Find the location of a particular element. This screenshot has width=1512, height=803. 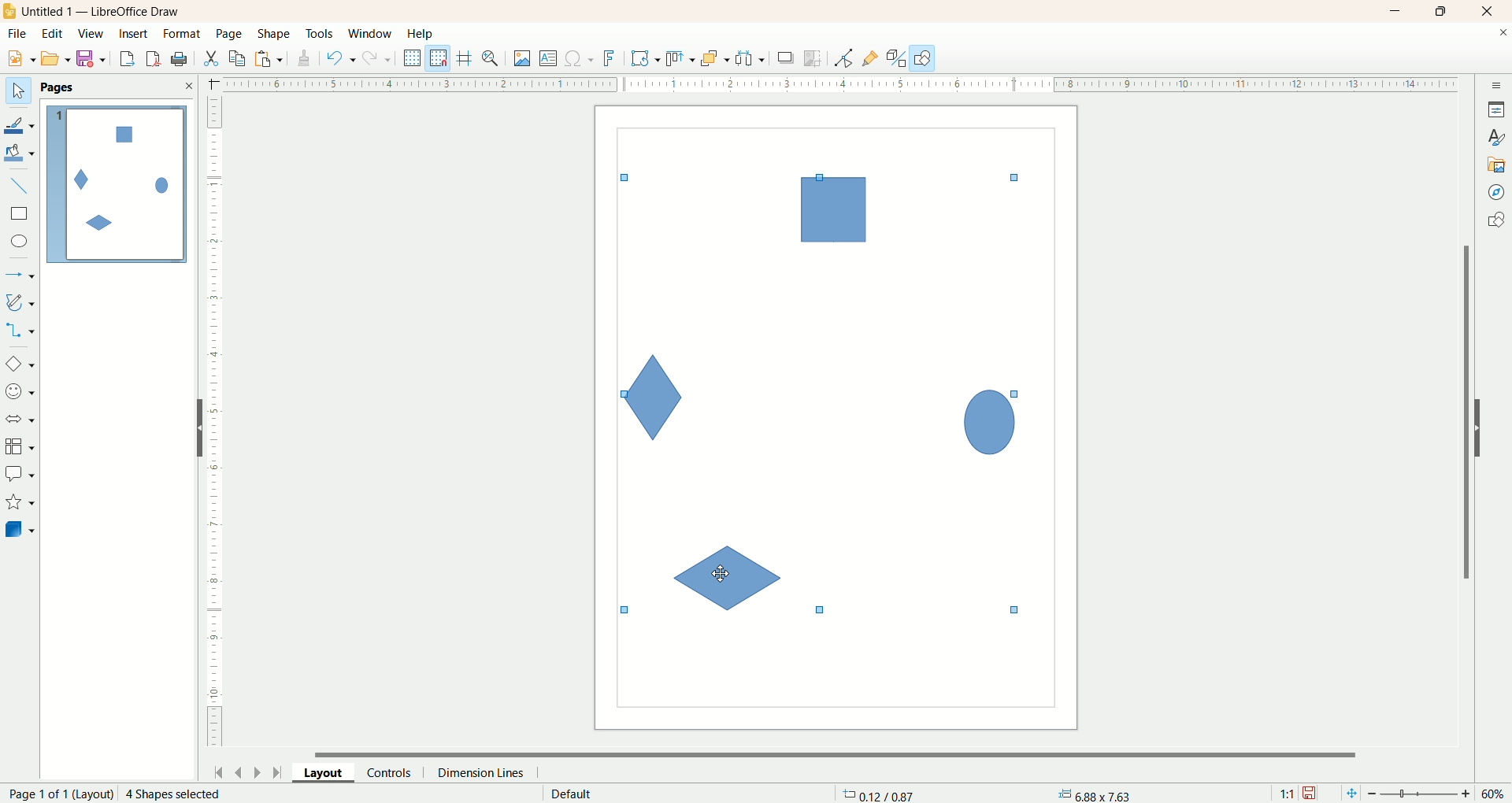

scale factor is located at coordinates (1287, 794).